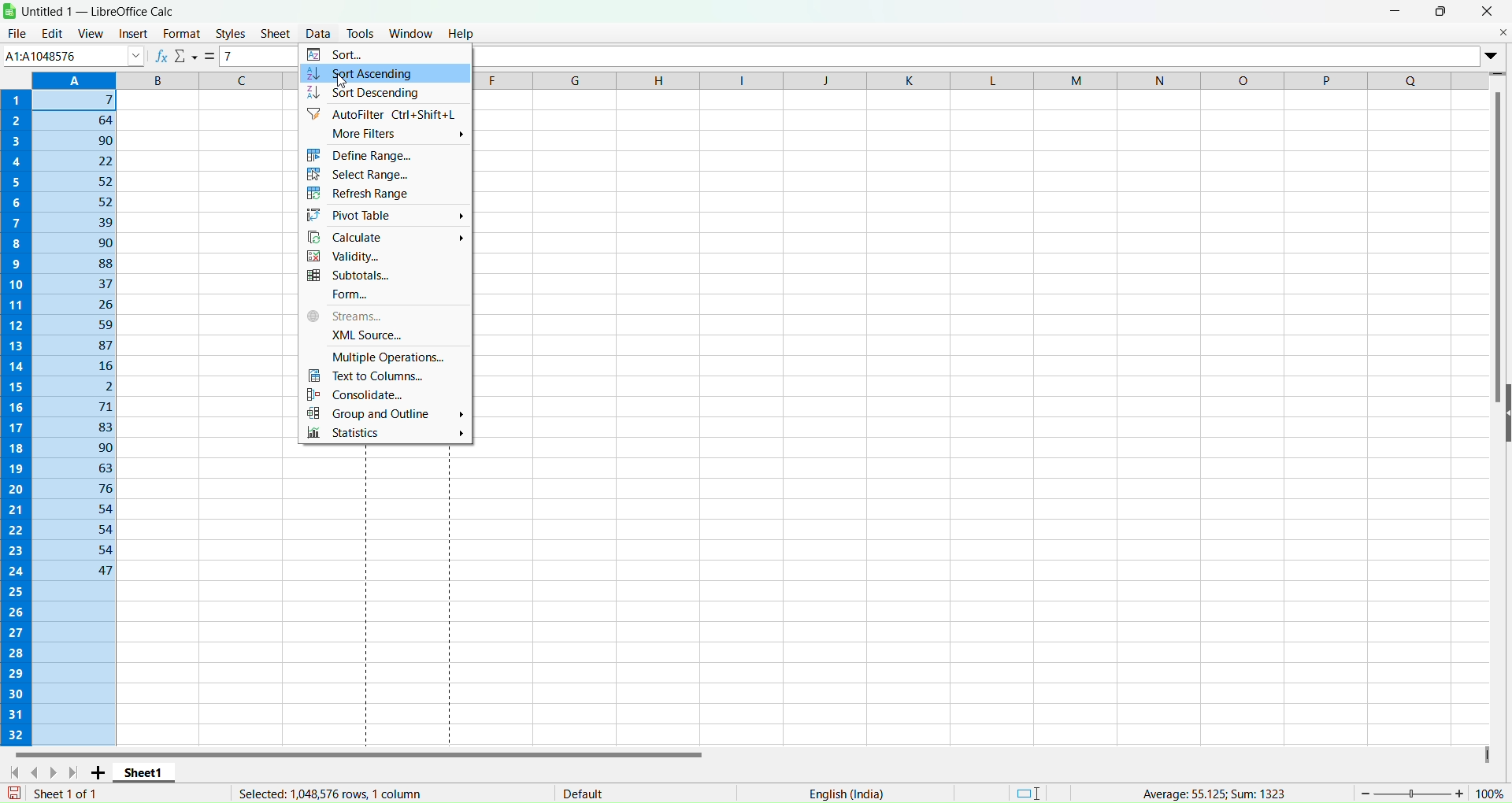 The height and width of the screenshot is (803, 1512). I want to click on Next, so click(57, 772).